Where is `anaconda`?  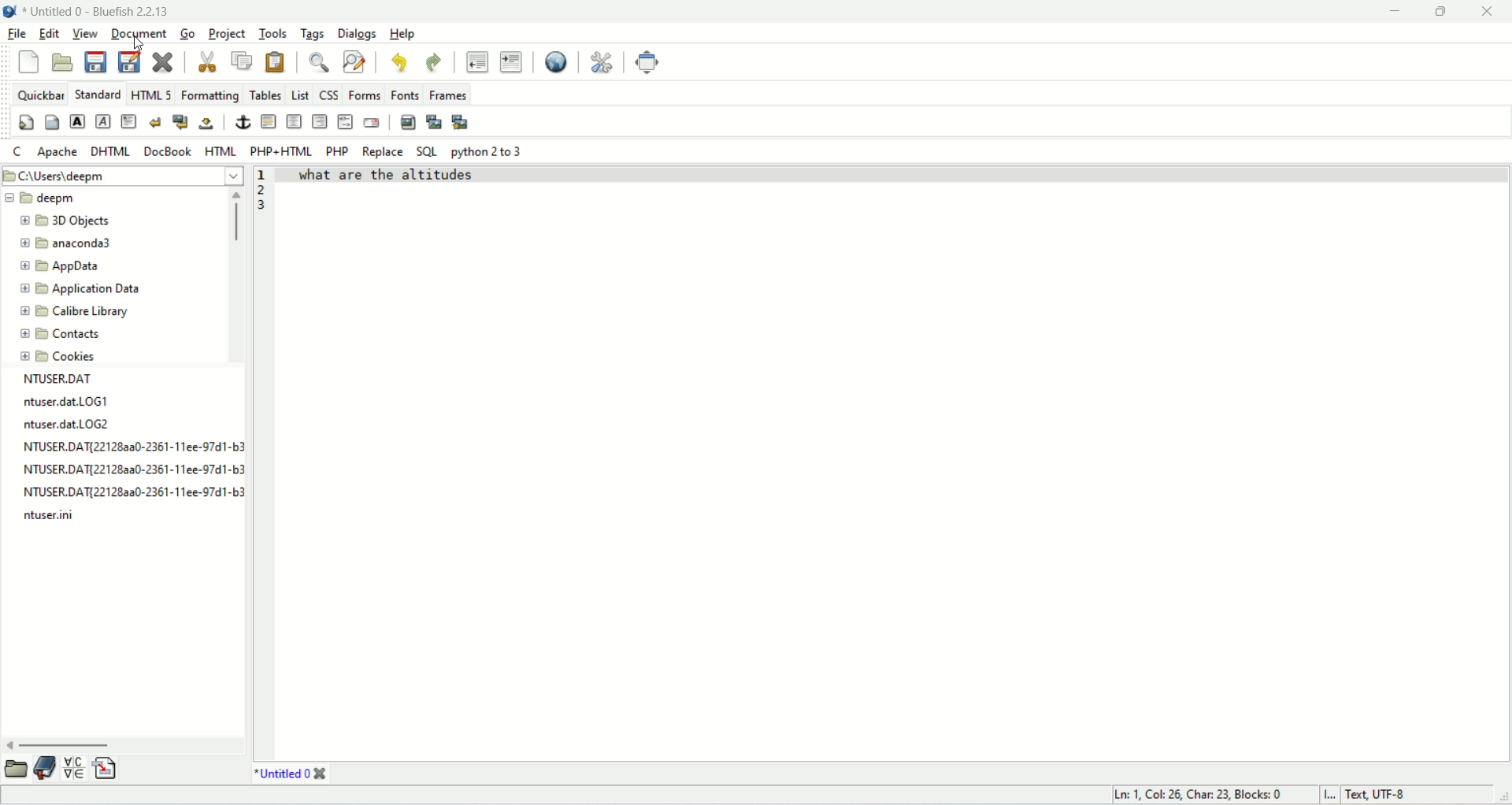 anaconda is located at coordinates (66, 241).